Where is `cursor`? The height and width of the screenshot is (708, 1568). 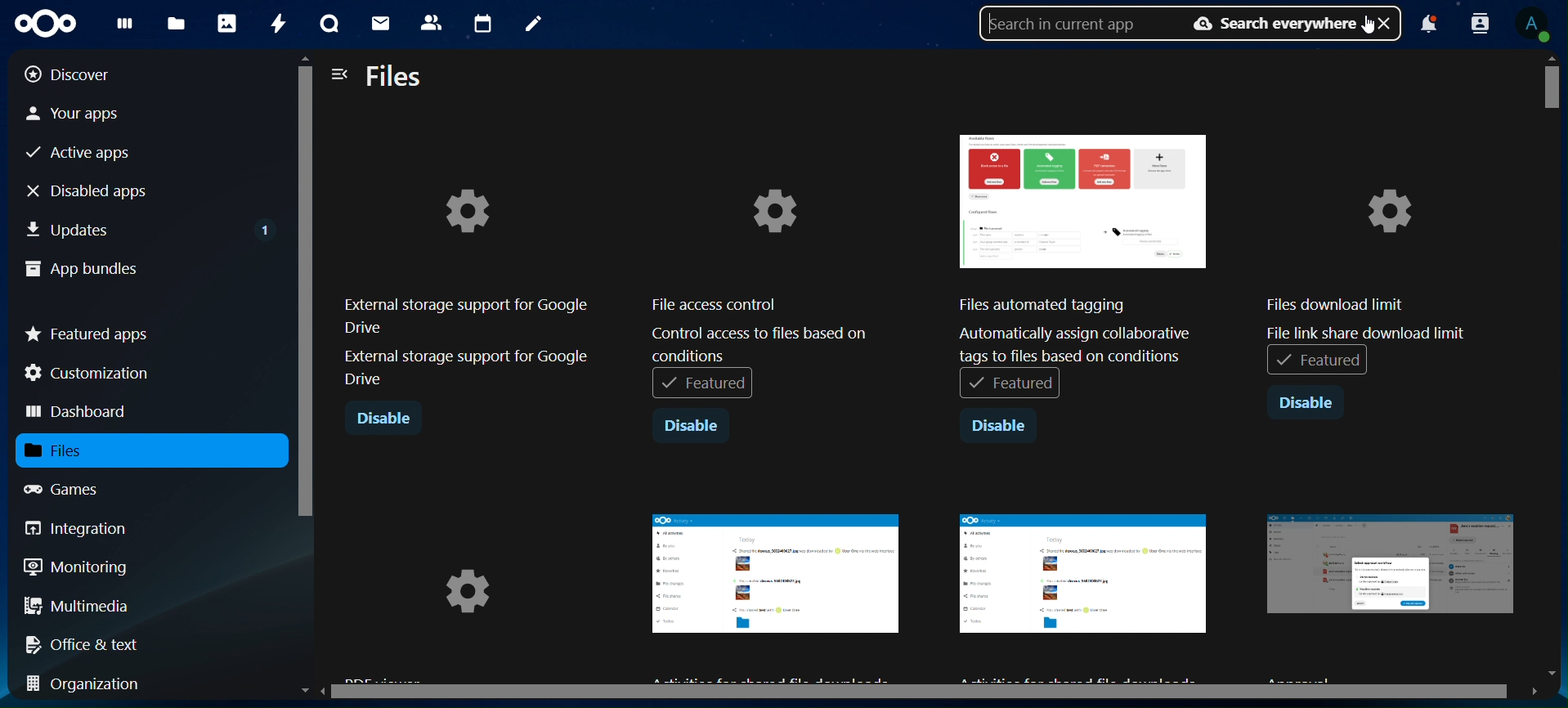 cursor is located at coordinates (1369, 25).